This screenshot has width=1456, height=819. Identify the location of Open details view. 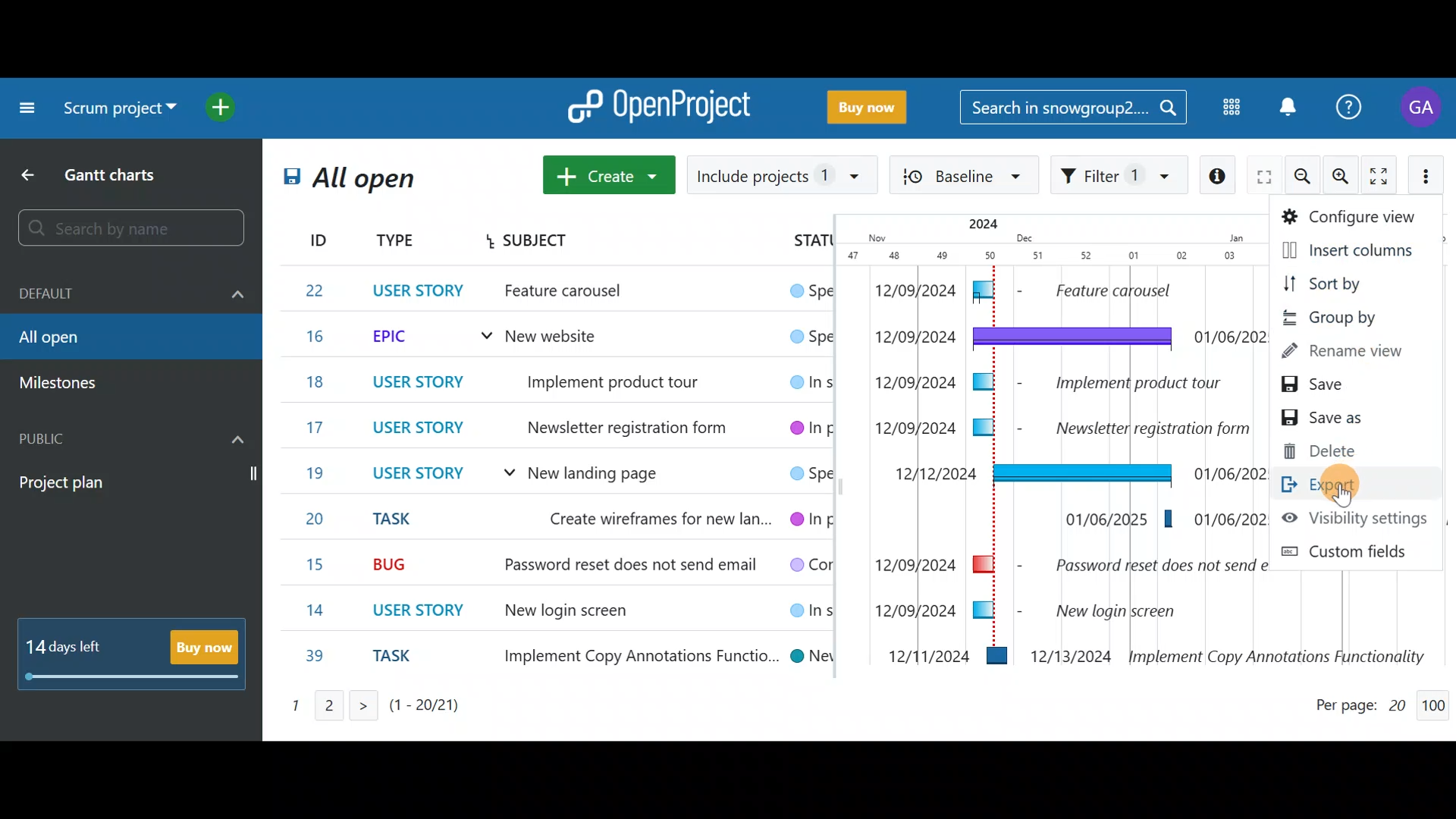
(1220, 176).